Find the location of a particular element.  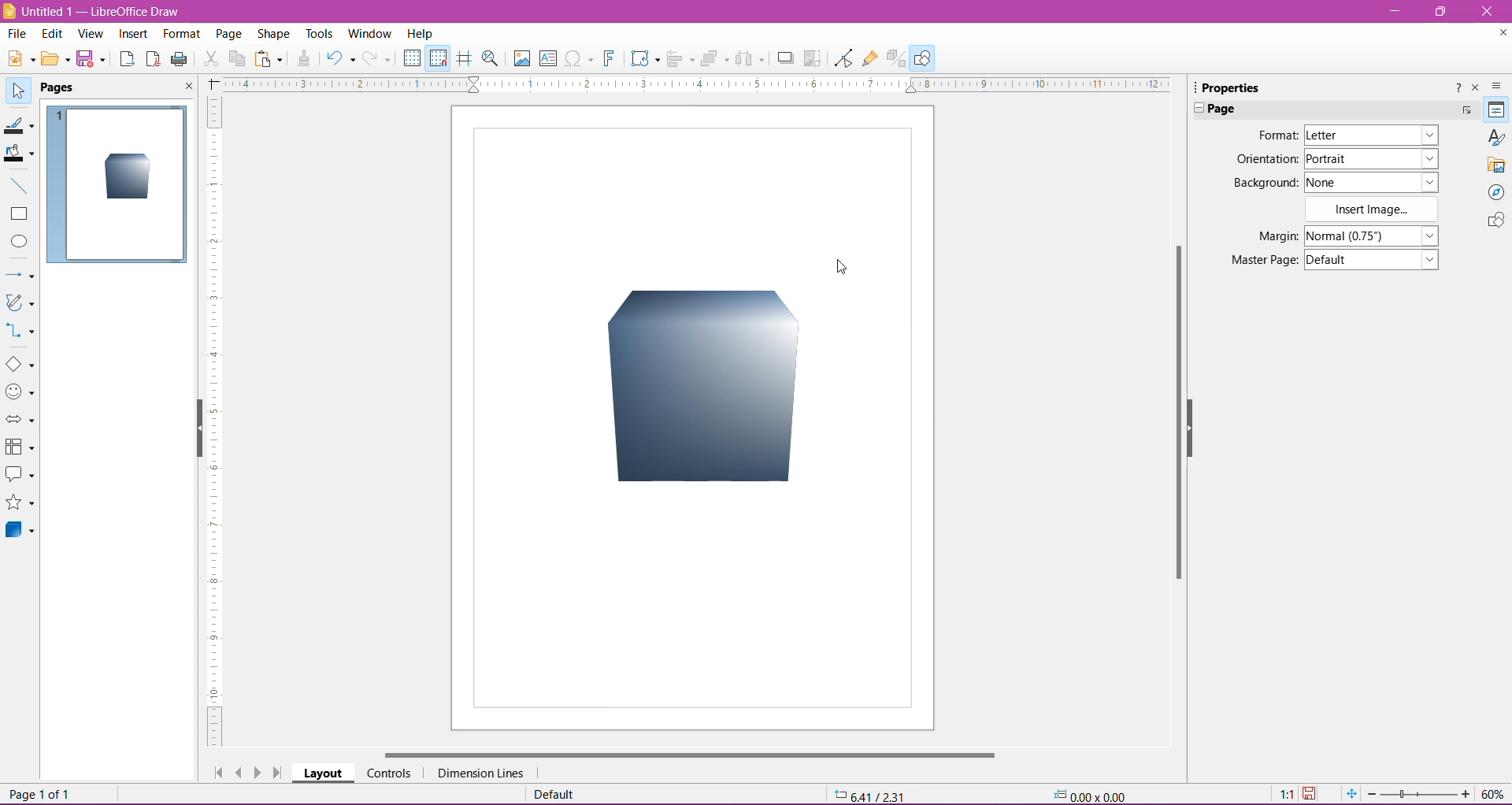

Copy is located at coordinates (236, 59).